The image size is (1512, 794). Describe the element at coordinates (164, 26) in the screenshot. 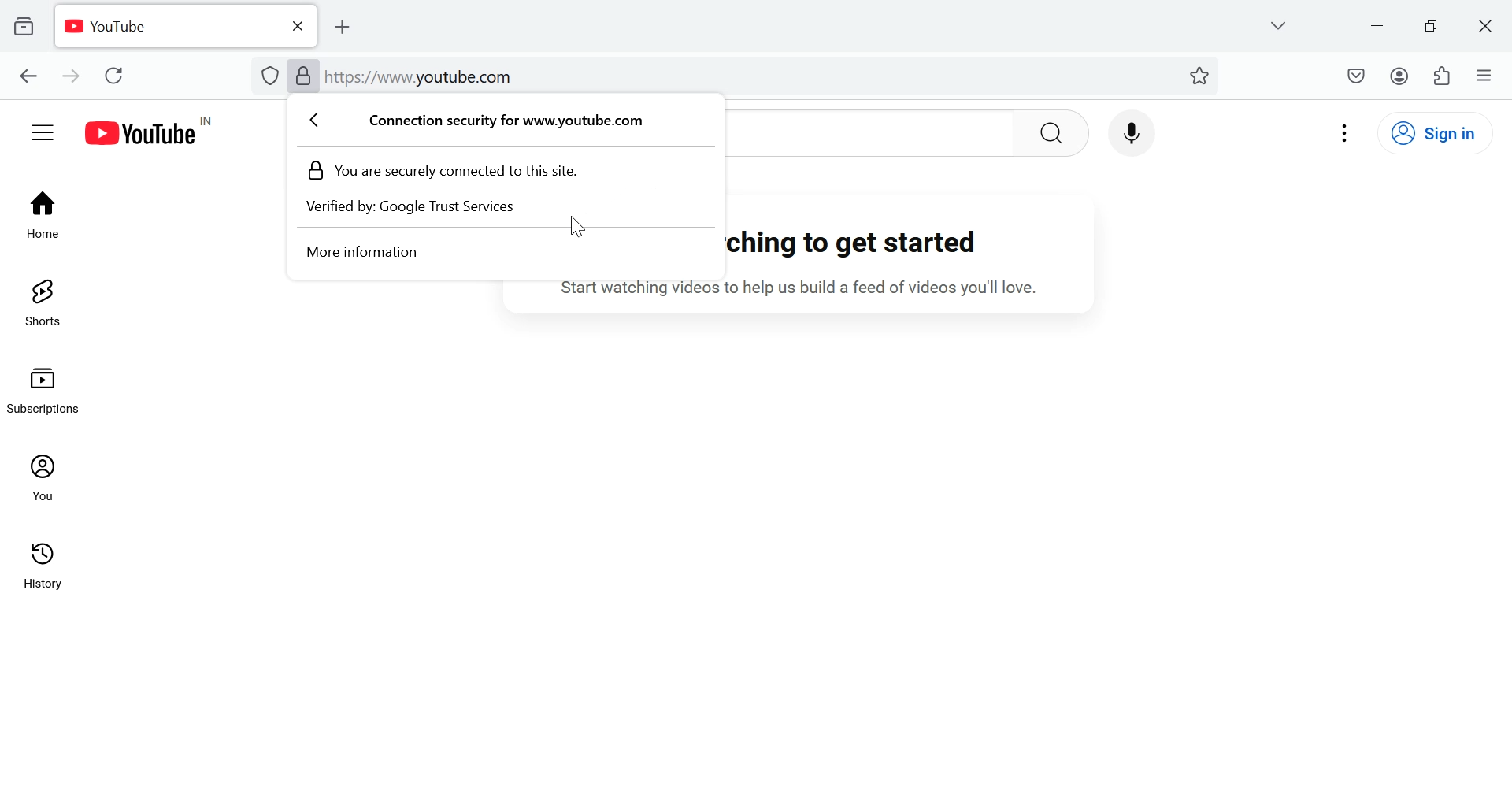

I see `YouTube` at that location.